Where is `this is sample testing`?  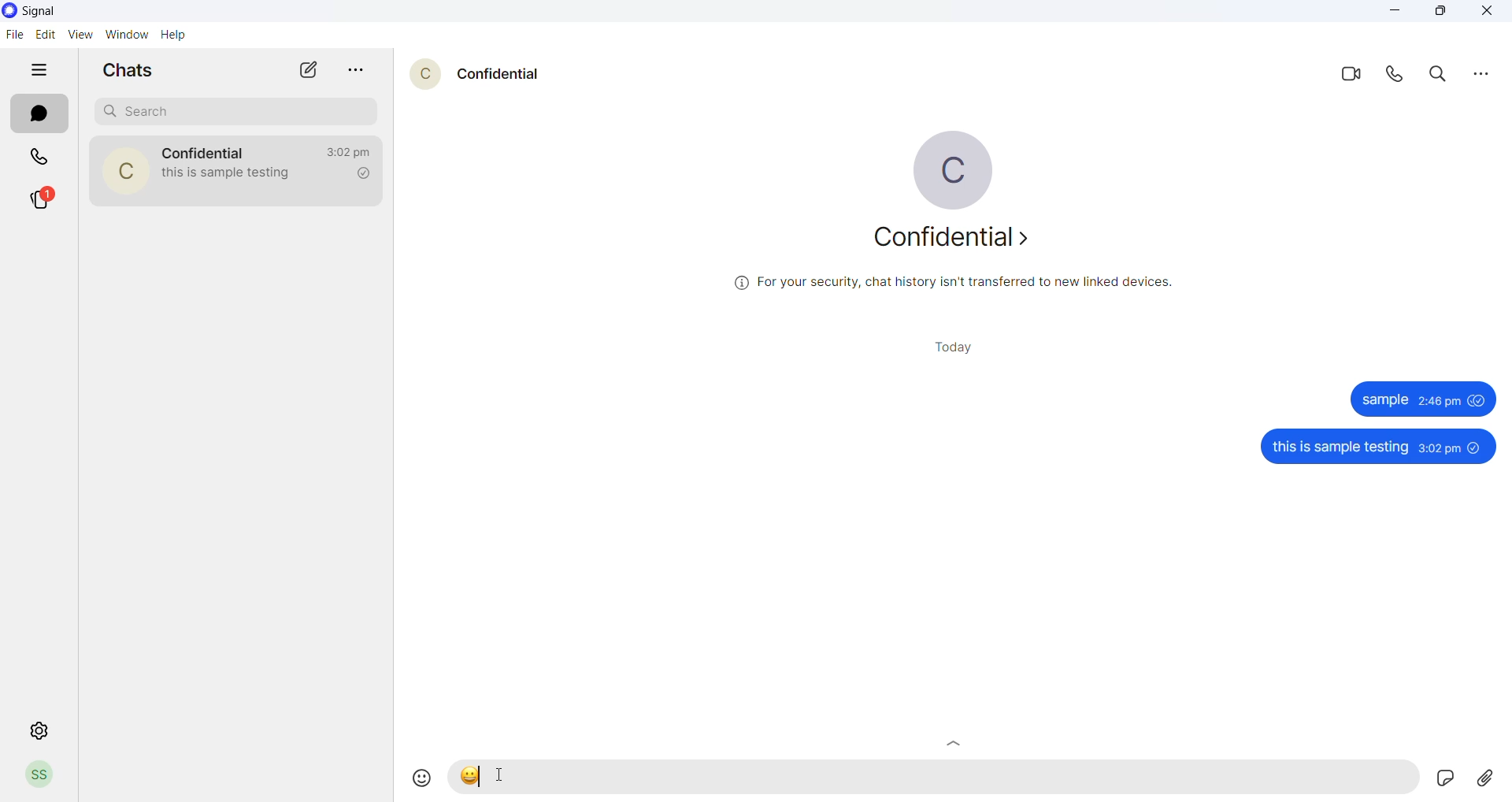 this is sample testing is located at coordinates (1340, 448).